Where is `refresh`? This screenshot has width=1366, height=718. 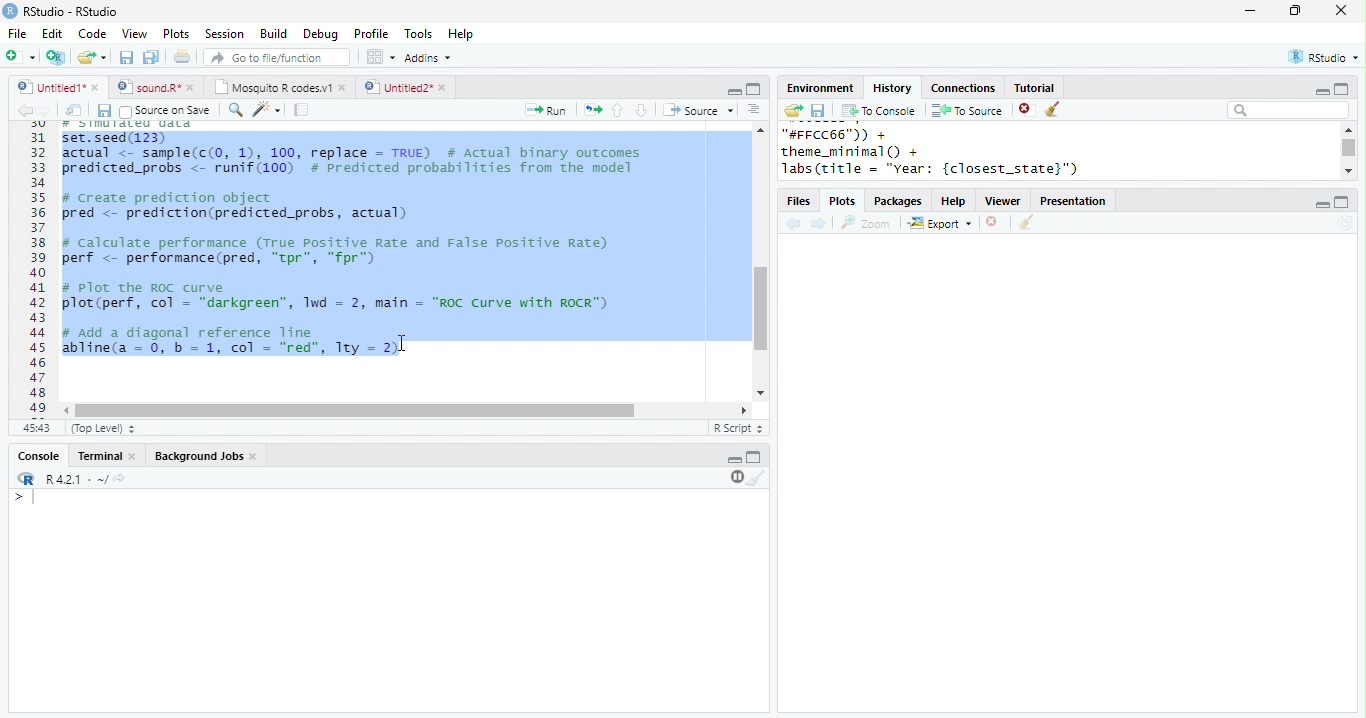
refresh is located at coordinates (1345, 223).